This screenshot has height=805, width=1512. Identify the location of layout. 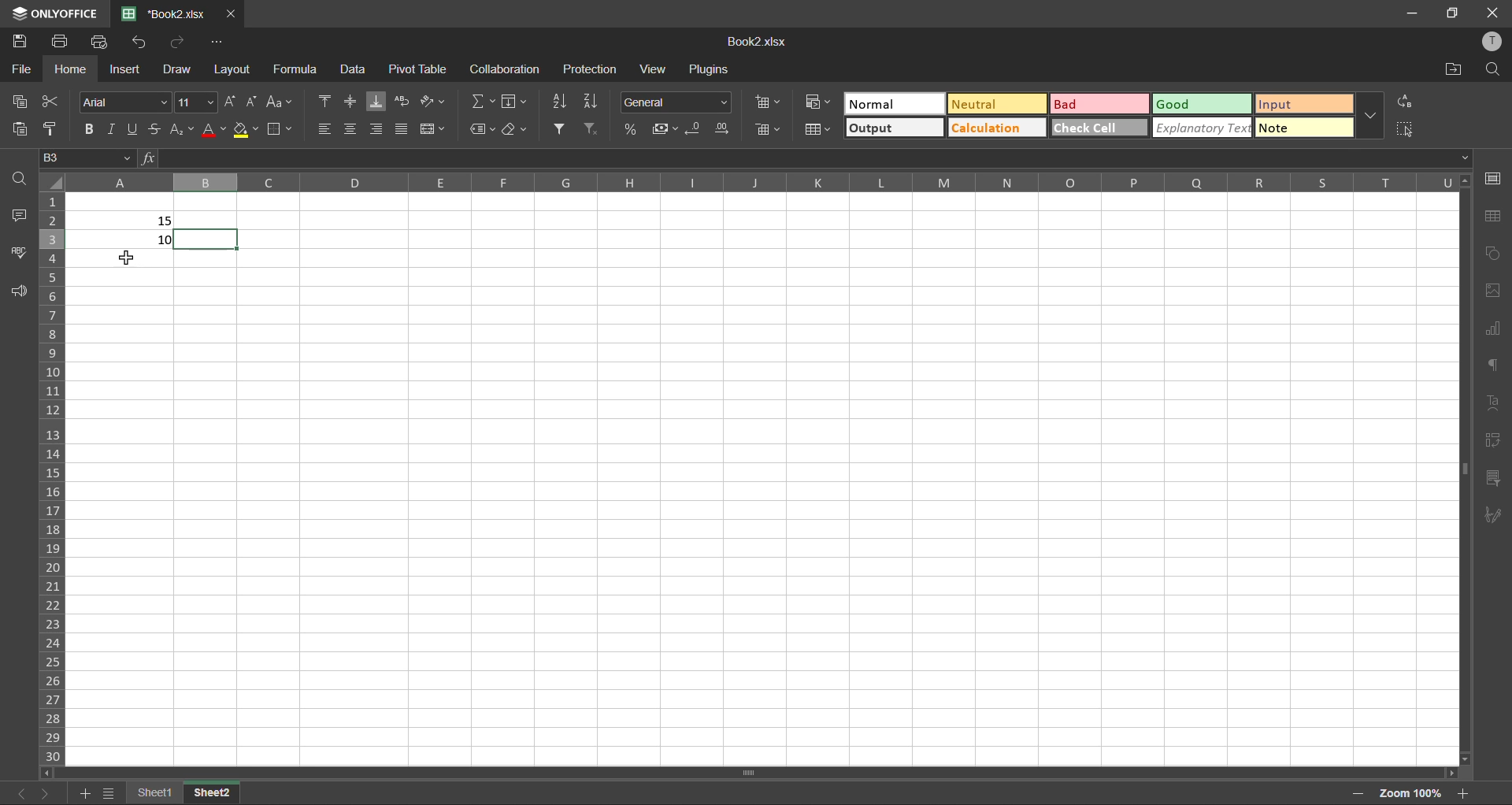
(232, 71).